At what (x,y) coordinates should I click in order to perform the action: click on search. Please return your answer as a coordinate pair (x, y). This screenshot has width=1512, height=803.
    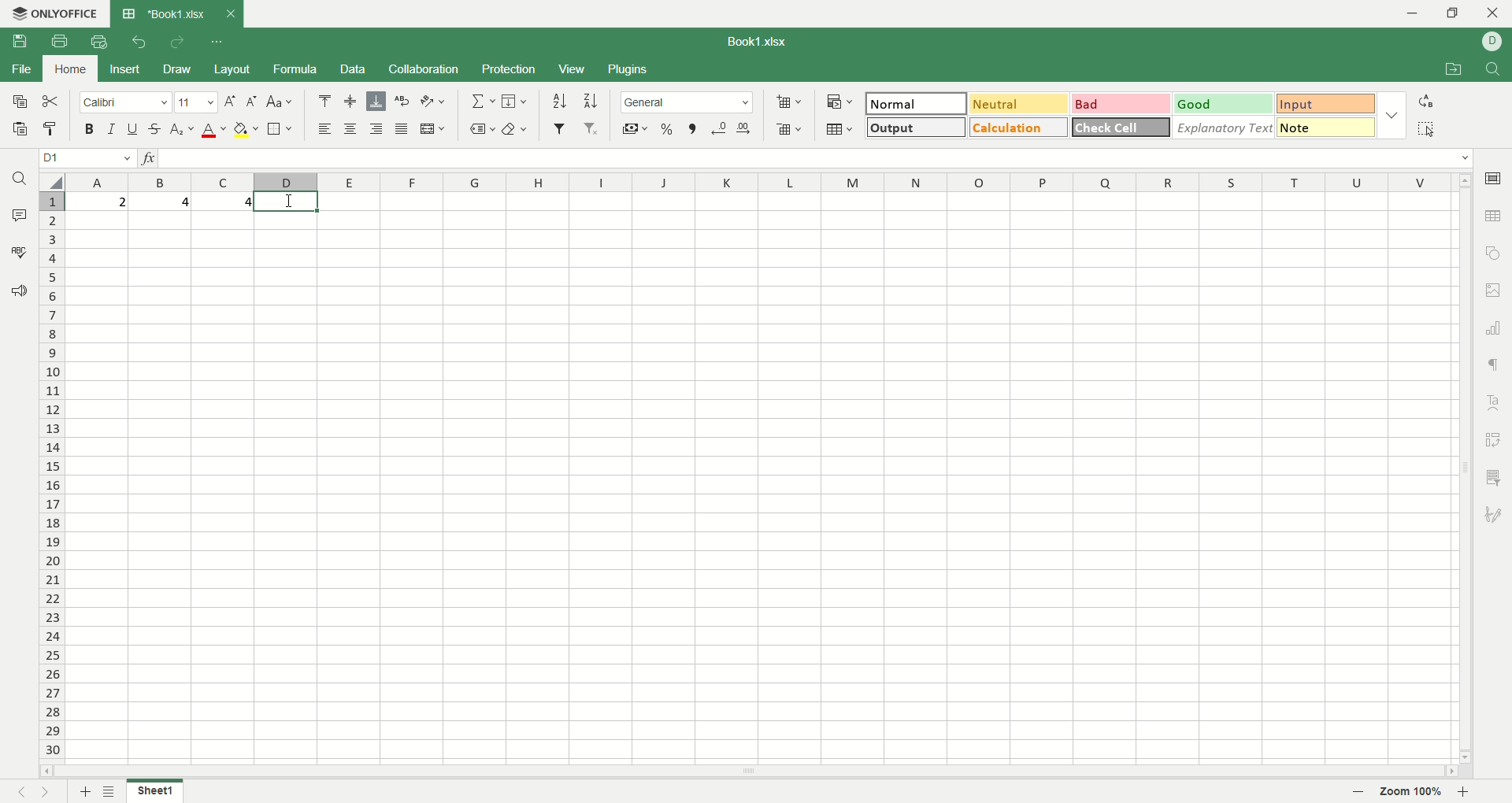
    Looking at the image, I should click on (16, 181).